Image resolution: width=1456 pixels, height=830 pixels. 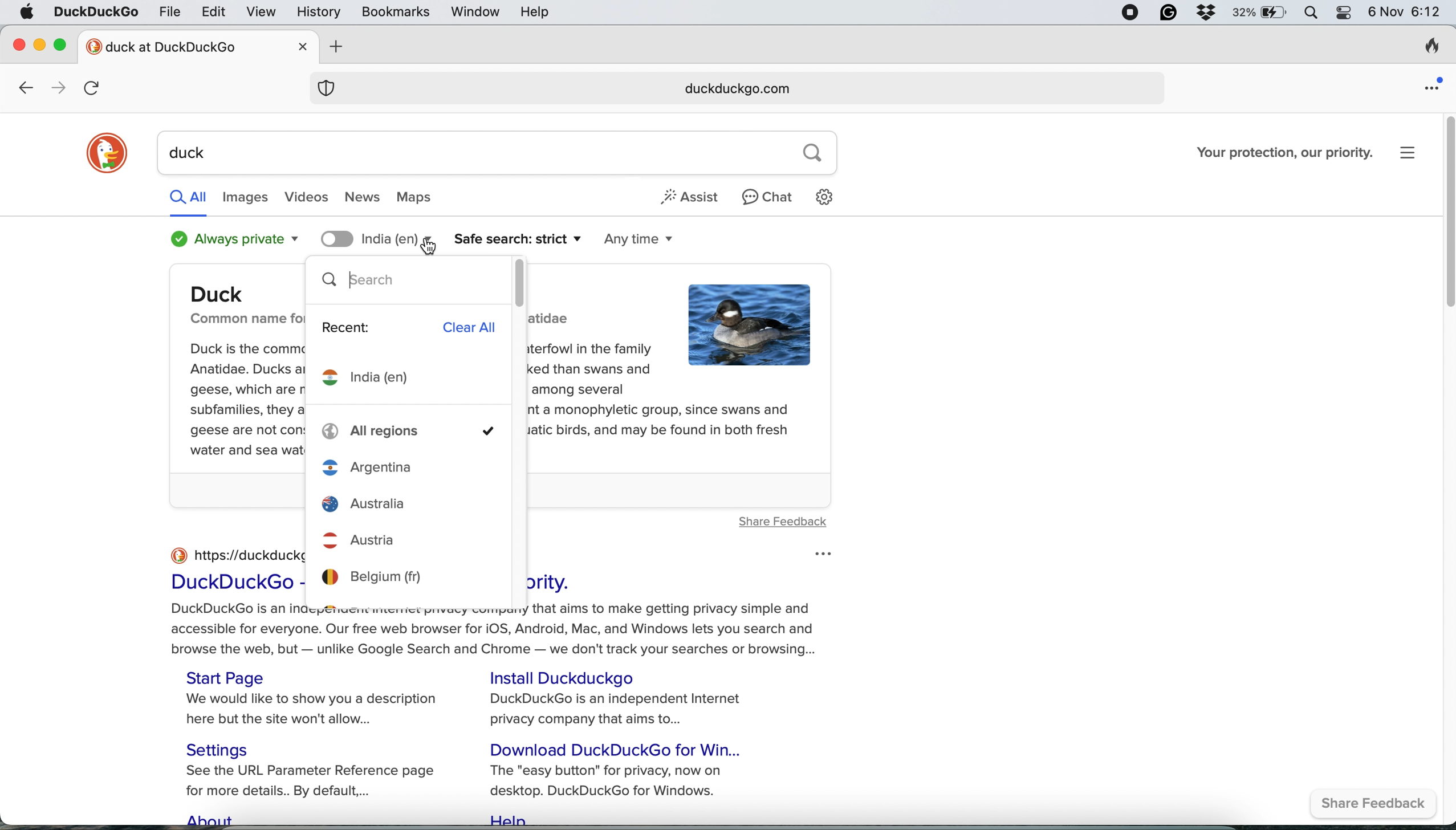 What do you see at coordinates (395, 239) in the screenshot?
I see `search location` at bounding box center [395, 239].